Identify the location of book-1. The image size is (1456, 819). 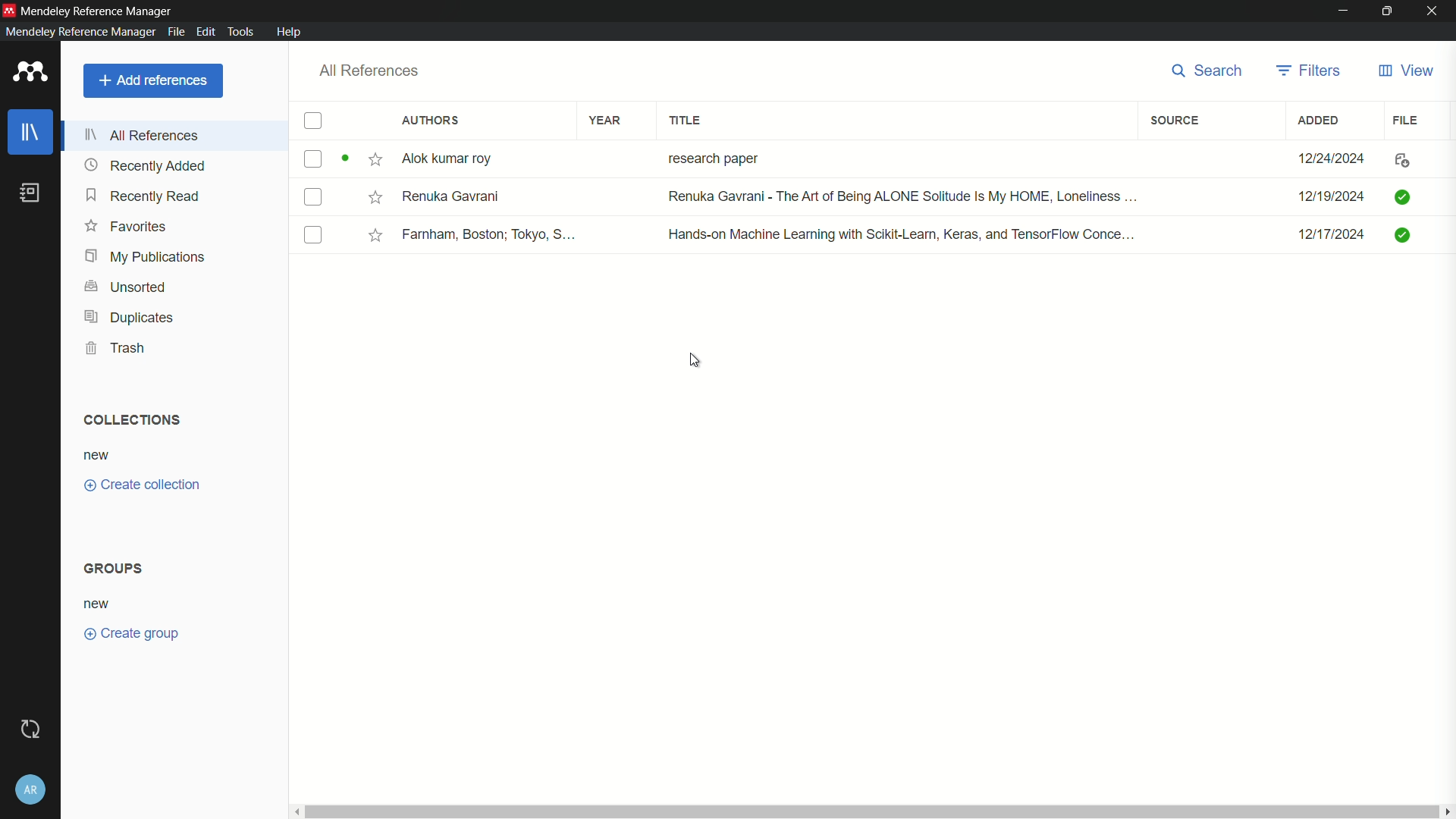
(919, 158).